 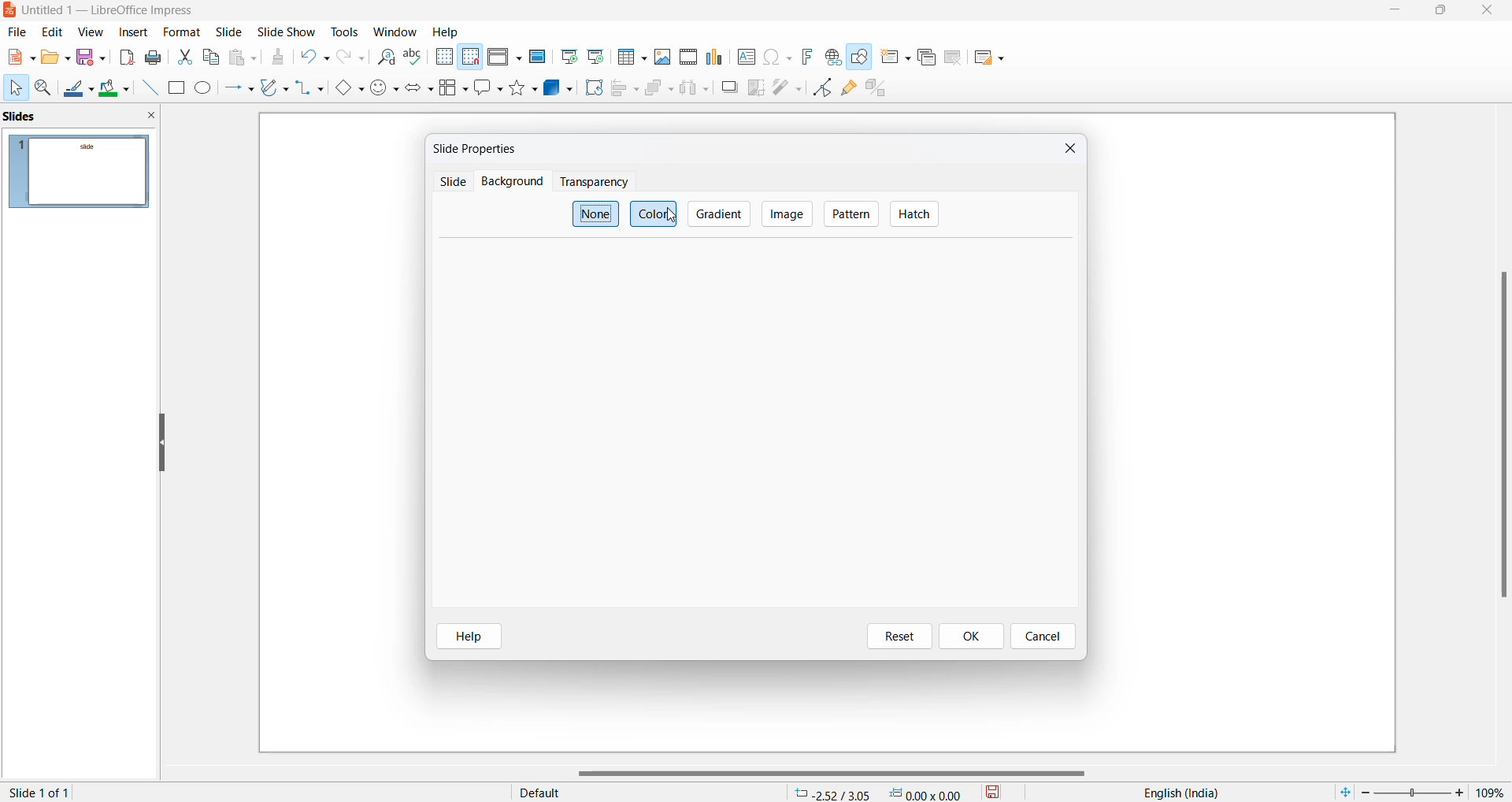 I want to click on start from current slide, so click(x=595, y=56).